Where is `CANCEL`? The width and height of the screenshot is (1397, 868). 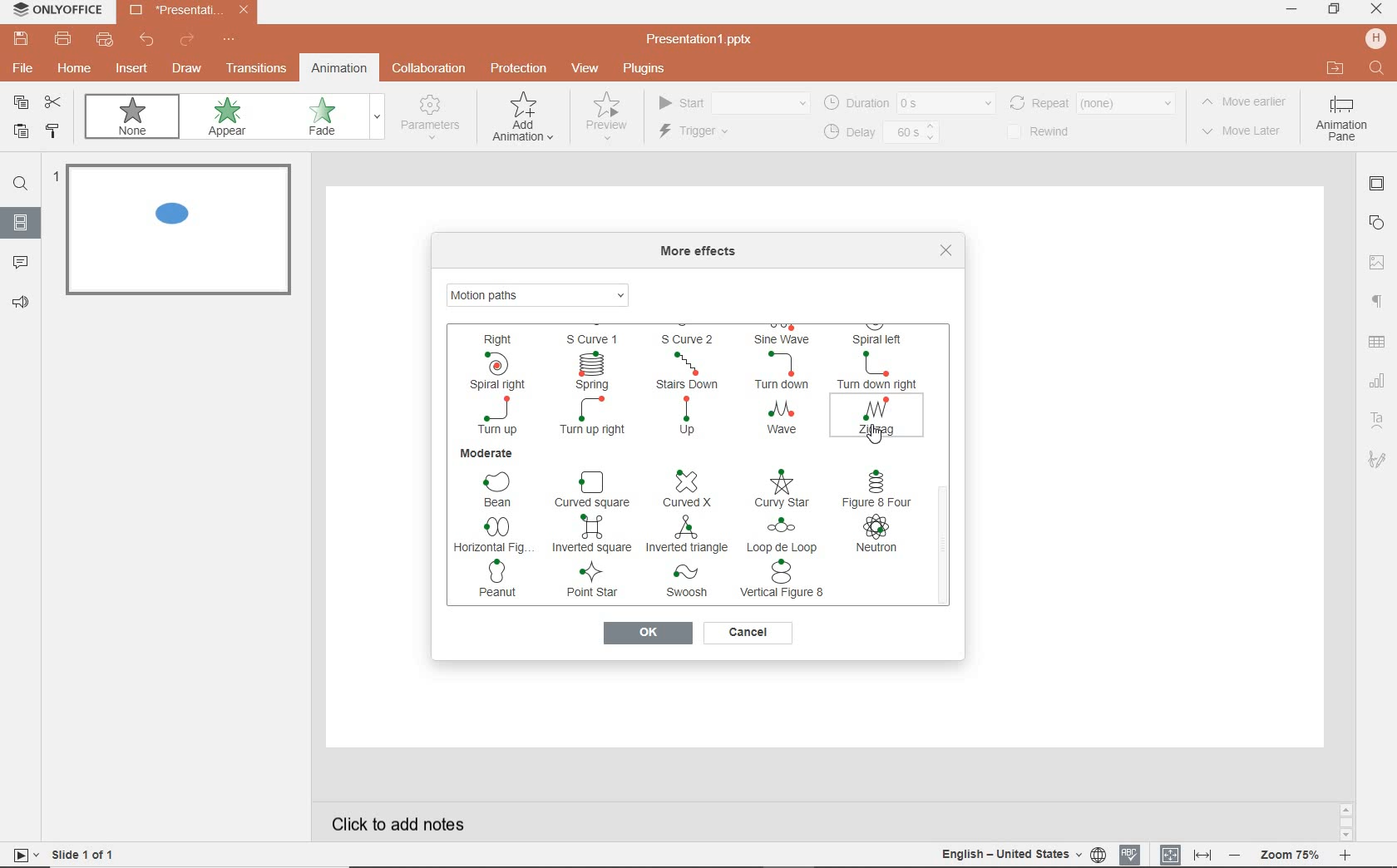 CANCEL is located at coordinates (748, 633).